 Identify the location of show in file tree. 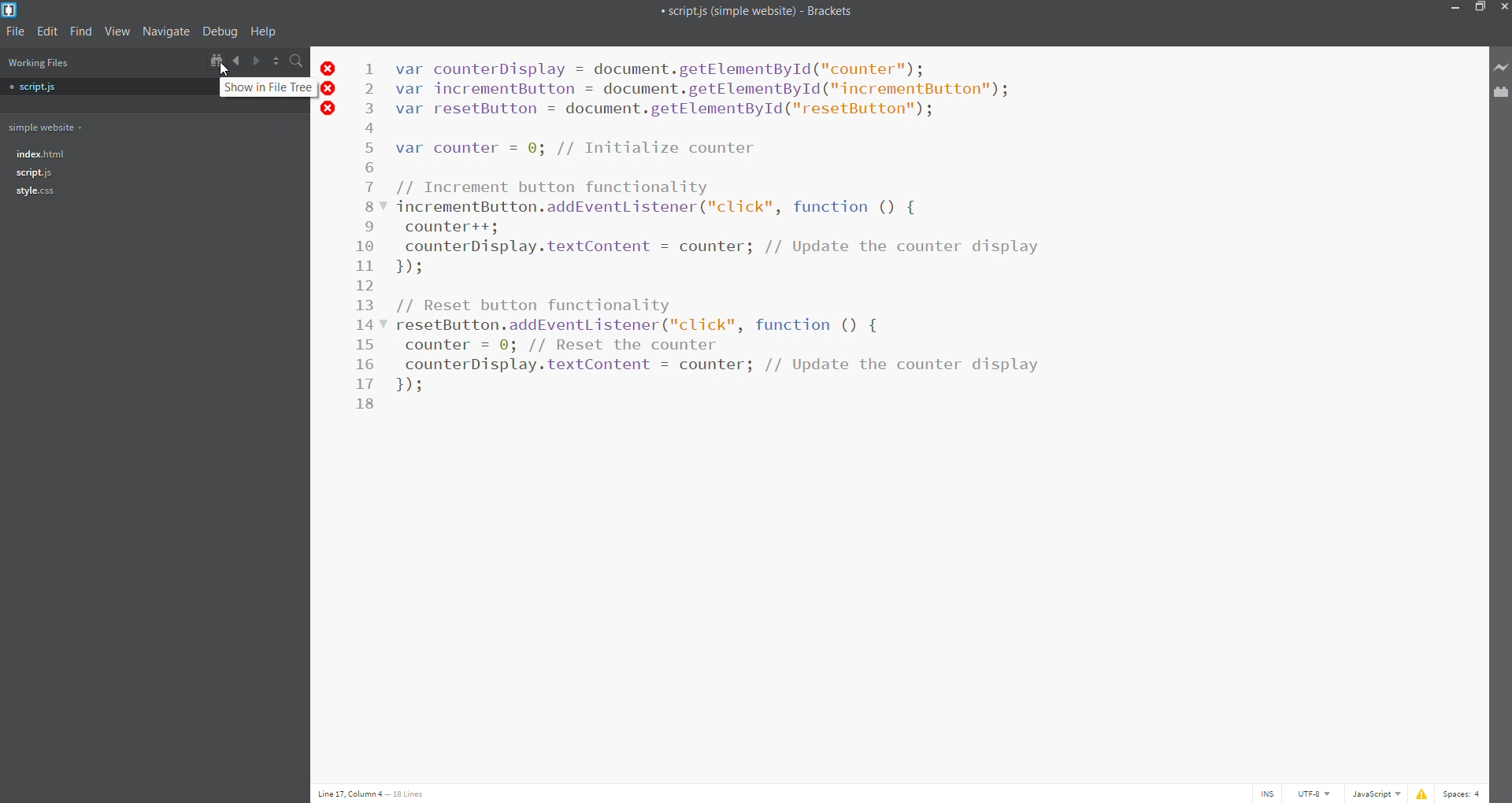
(213, 60).